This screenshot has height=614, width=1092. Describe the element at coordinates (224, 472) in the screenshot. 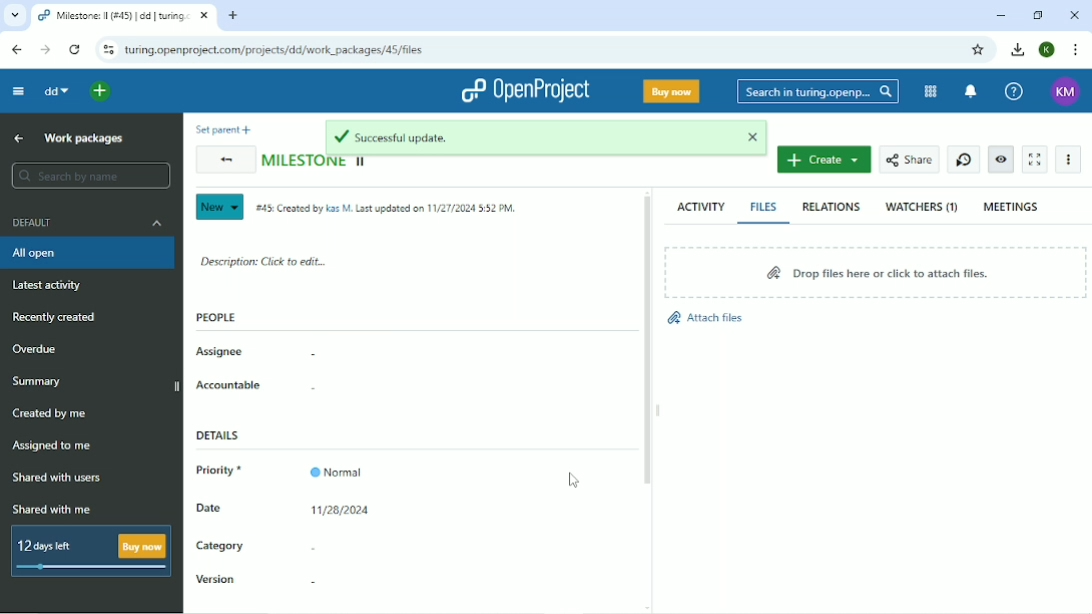

I see `Priority` at that location.